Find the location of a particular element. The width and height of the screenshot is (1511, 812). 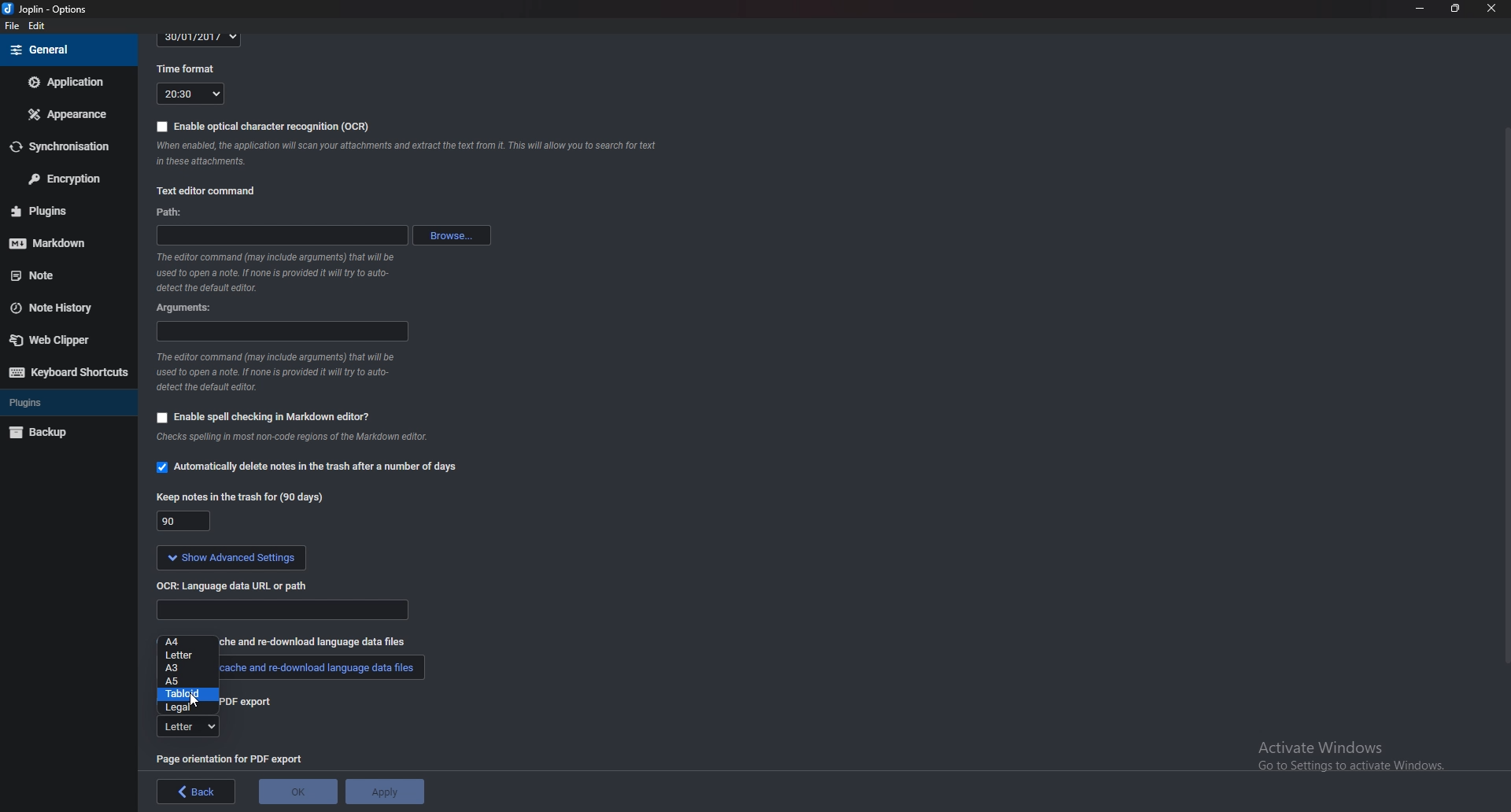

A3 is located at coordinates (185, 667).